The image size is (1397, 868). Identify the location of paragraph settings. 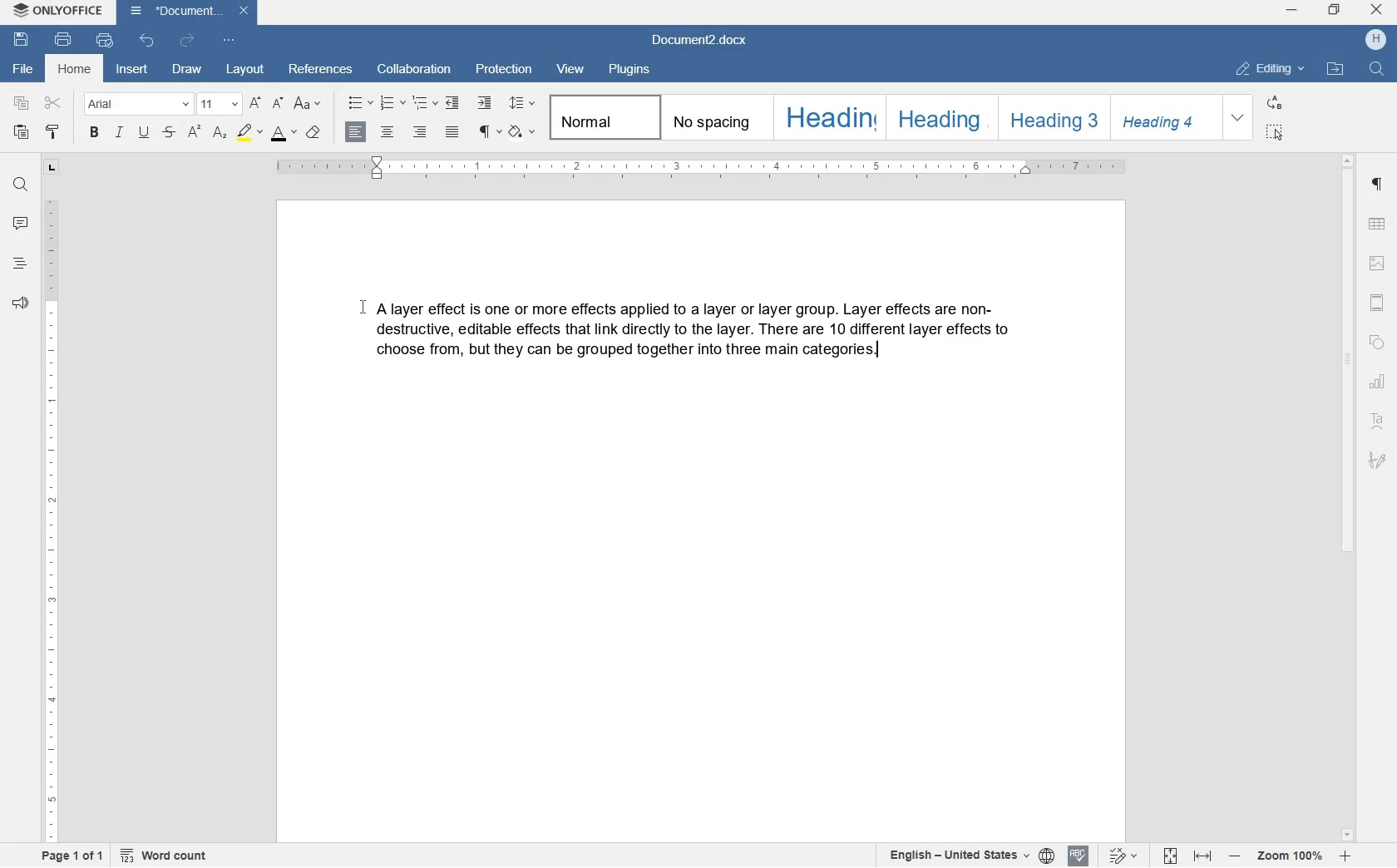
(1379, 188).